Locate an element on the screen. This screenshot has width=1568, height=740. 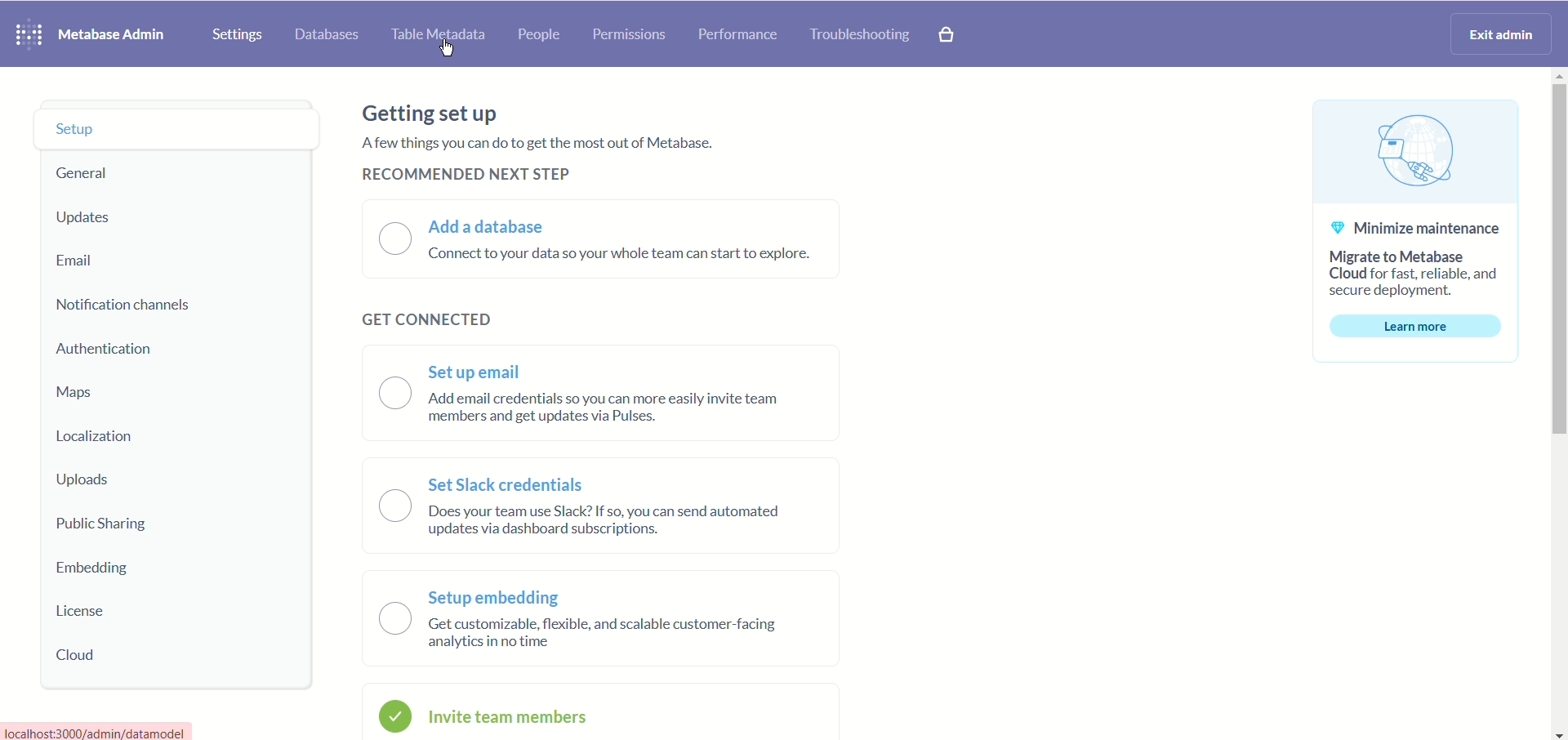
Metabase admin is located at coordinates (116, 32).